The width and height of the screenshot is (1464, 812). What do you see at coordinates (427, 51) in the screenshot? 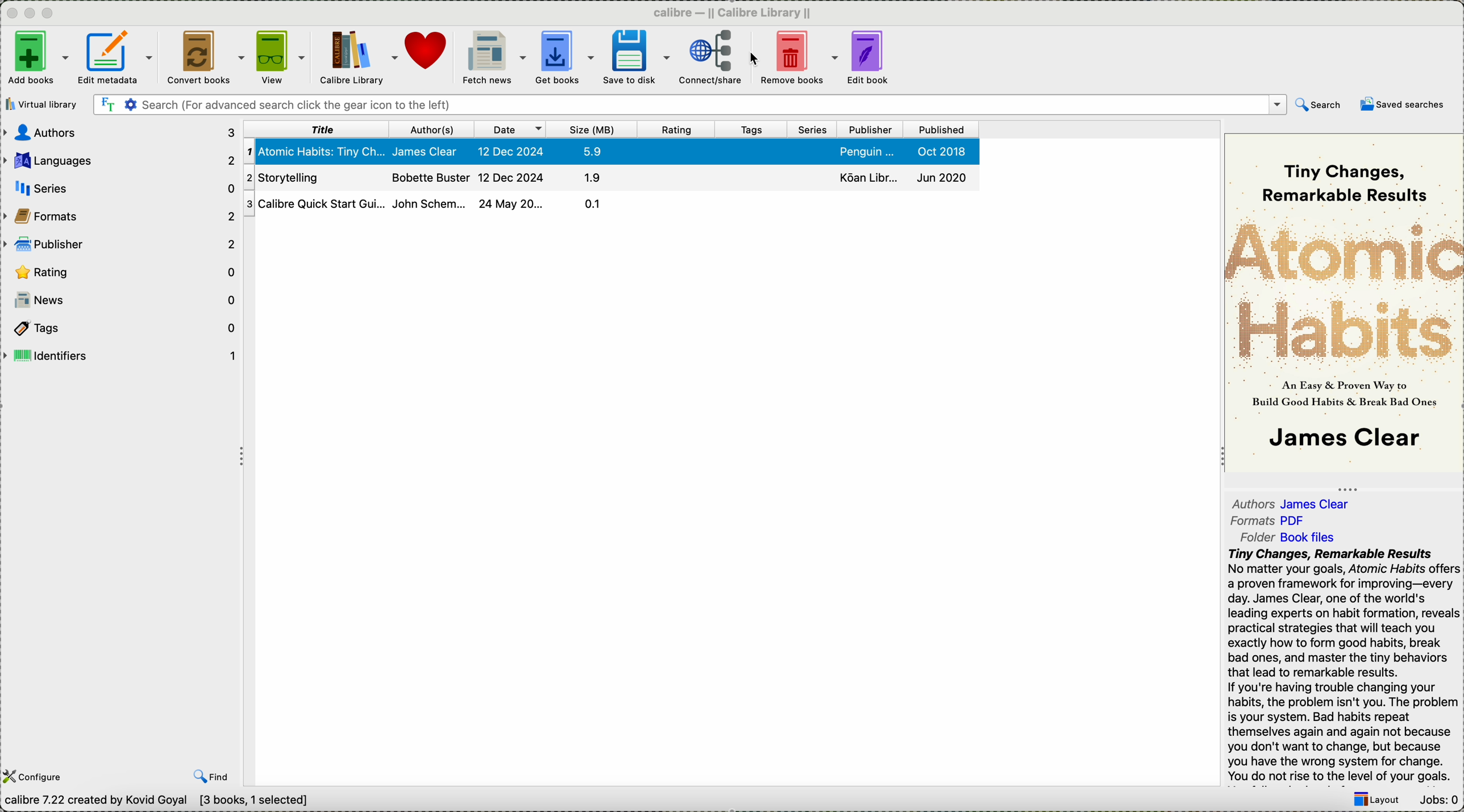
I see `donate` at bounding box center [427, 51].